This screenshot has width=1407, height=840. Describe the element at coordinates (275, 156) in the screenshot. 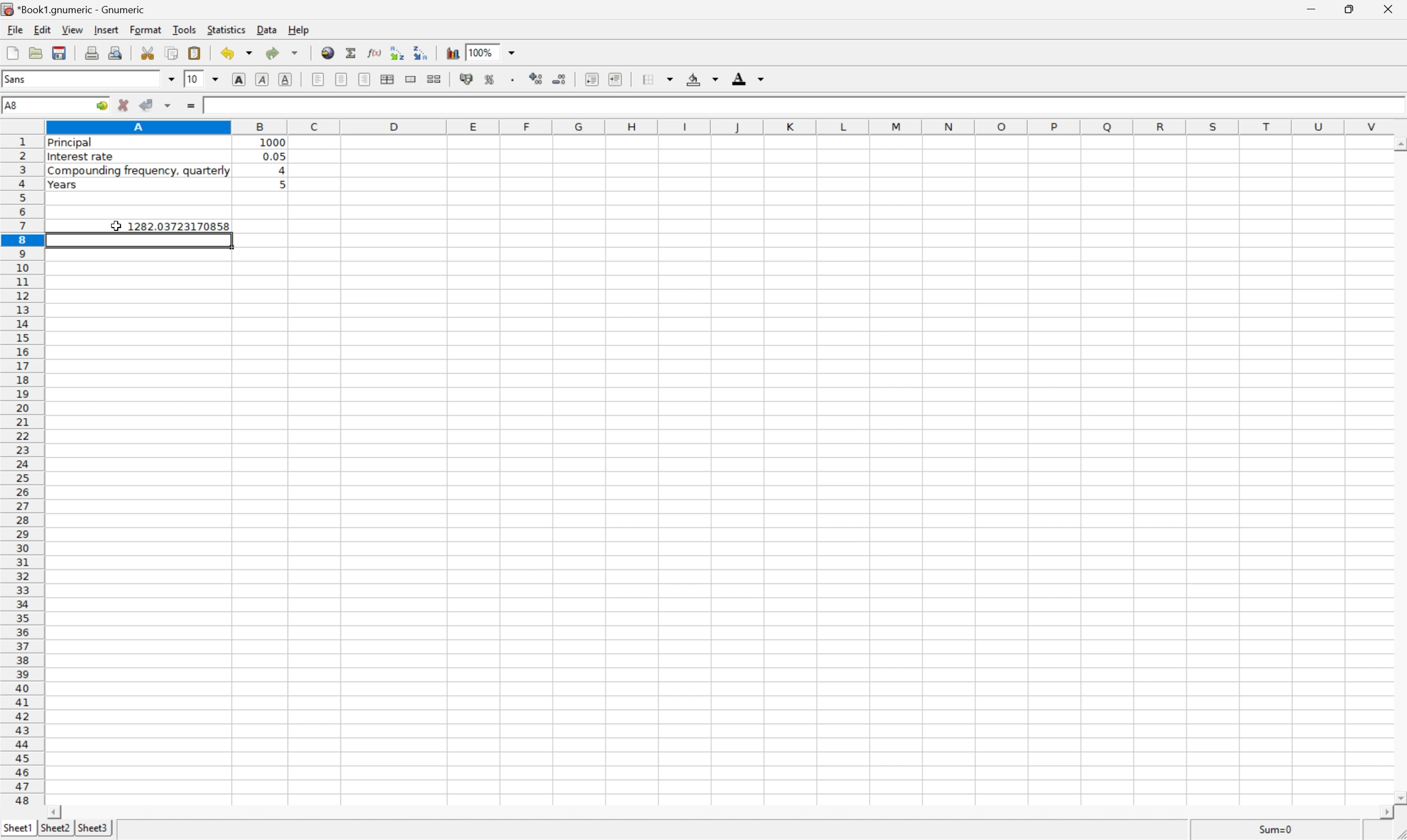

I see `0.05` at that location.